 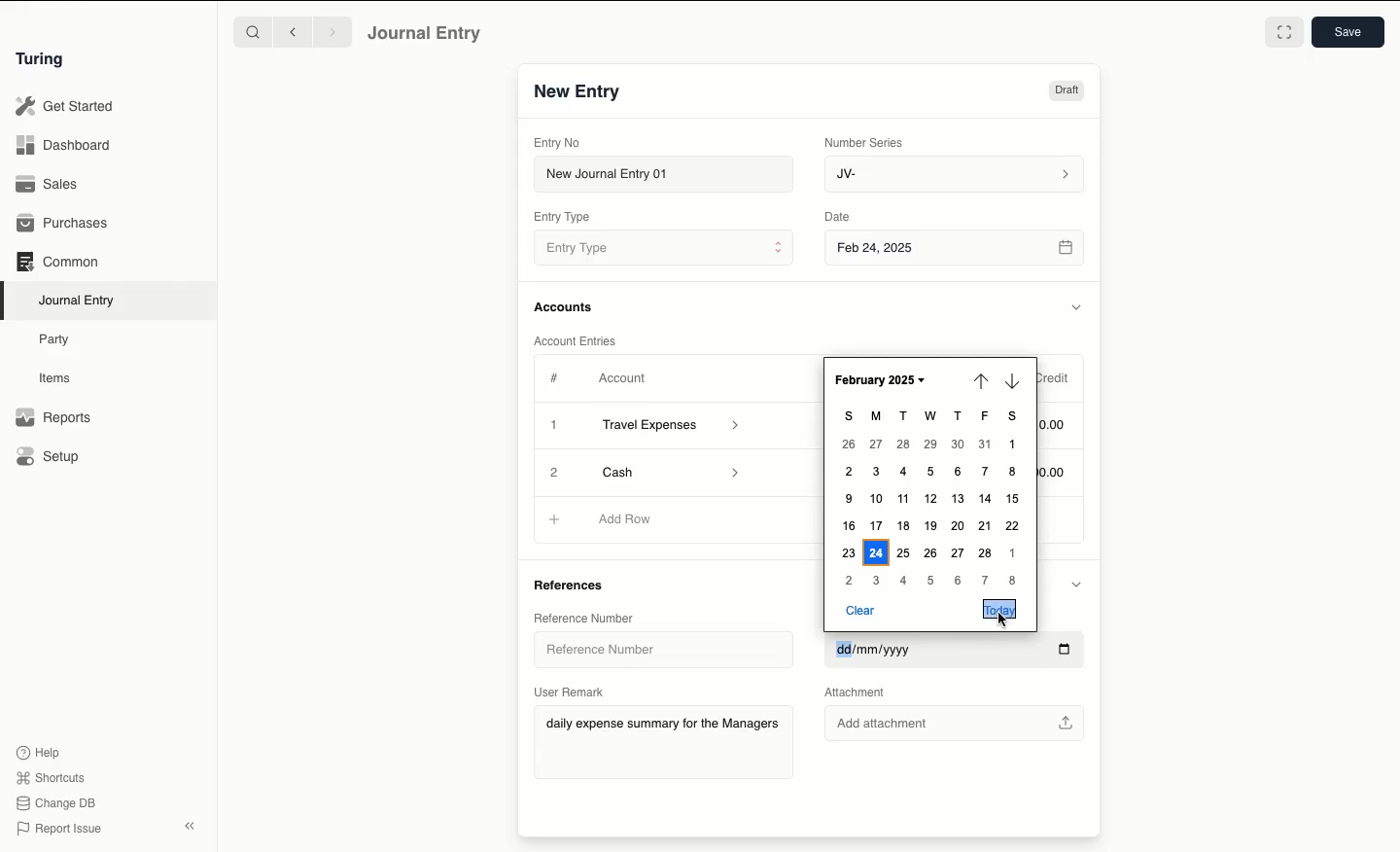 What do you see at coordinates (864, 692) in the screenshot?
I see `Attachment` at bounding box center [864, 692].